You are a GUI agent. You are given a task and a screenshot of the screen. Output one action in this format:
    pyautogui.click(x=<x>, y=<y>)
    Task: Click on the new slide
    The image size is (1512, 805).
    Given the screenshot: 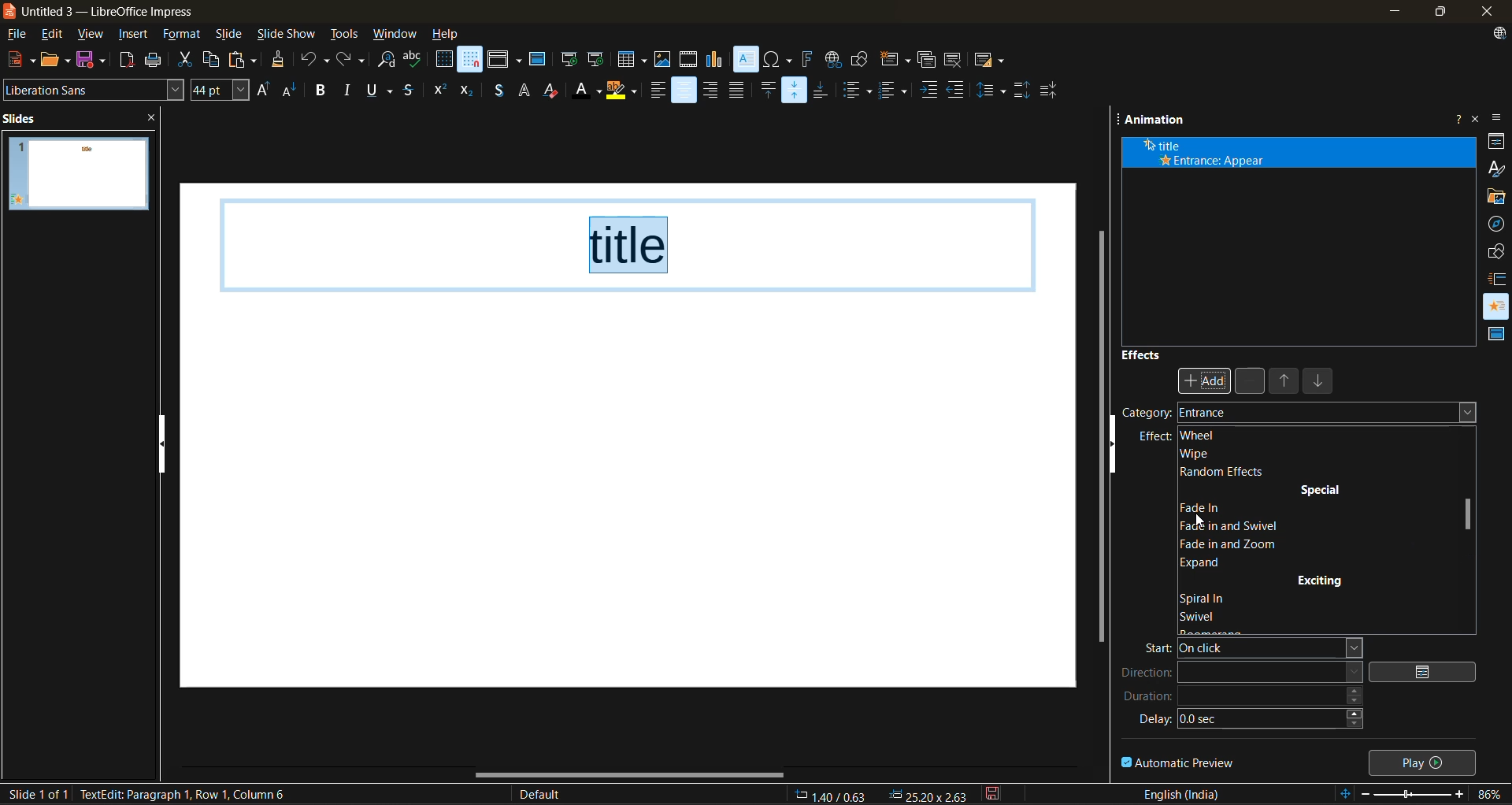 What is the action you would take?
    pyautogui.click(x=894, y=61)
    